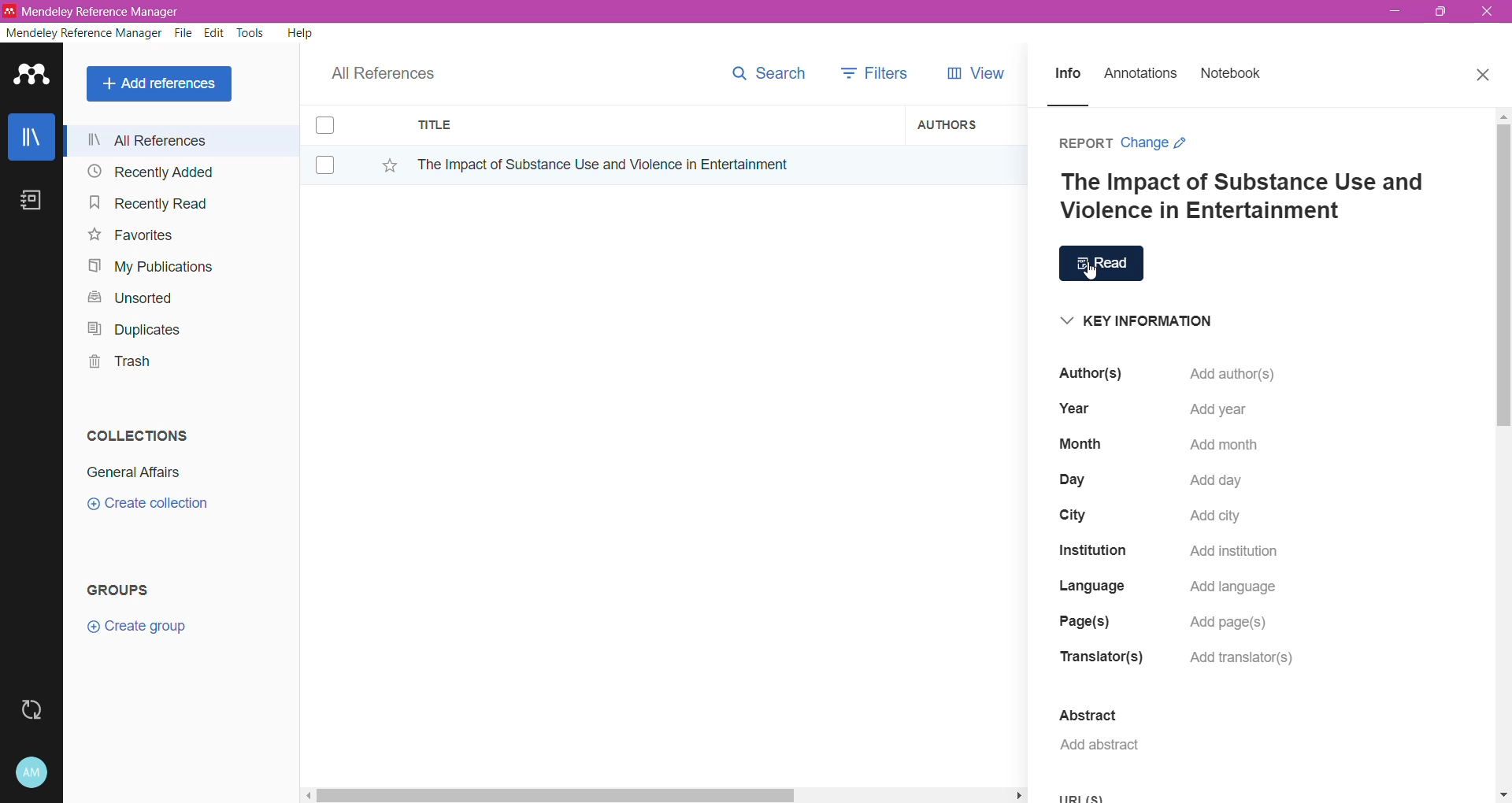 This screenshot has width=1512, height=803. Describe the element at coordinates (1094, 587) in the screenshot. I see `Language` at that location.